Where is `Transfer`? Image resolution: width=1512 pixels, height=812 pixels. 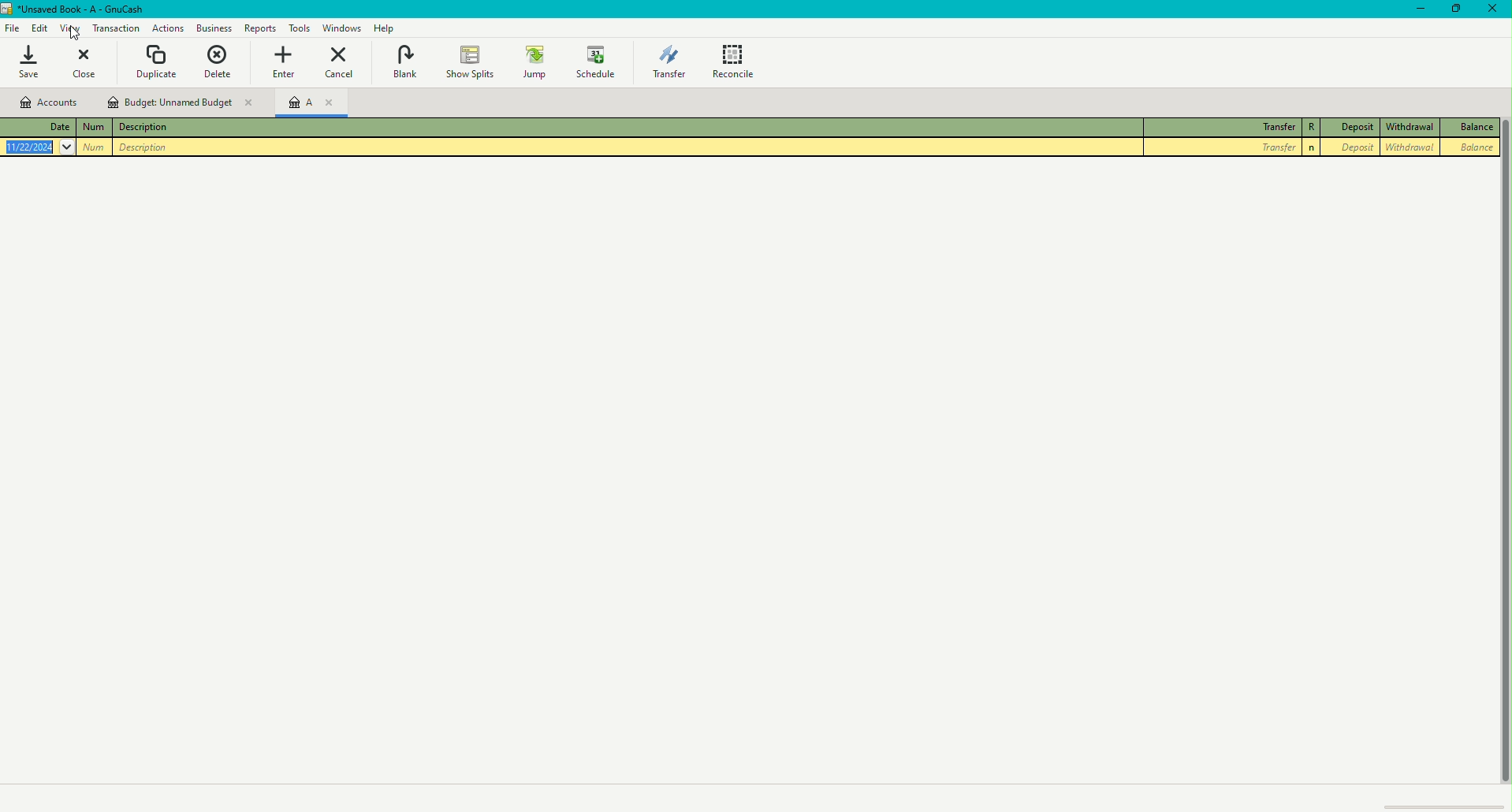
Transfer is located at coordinates (1222, 149).